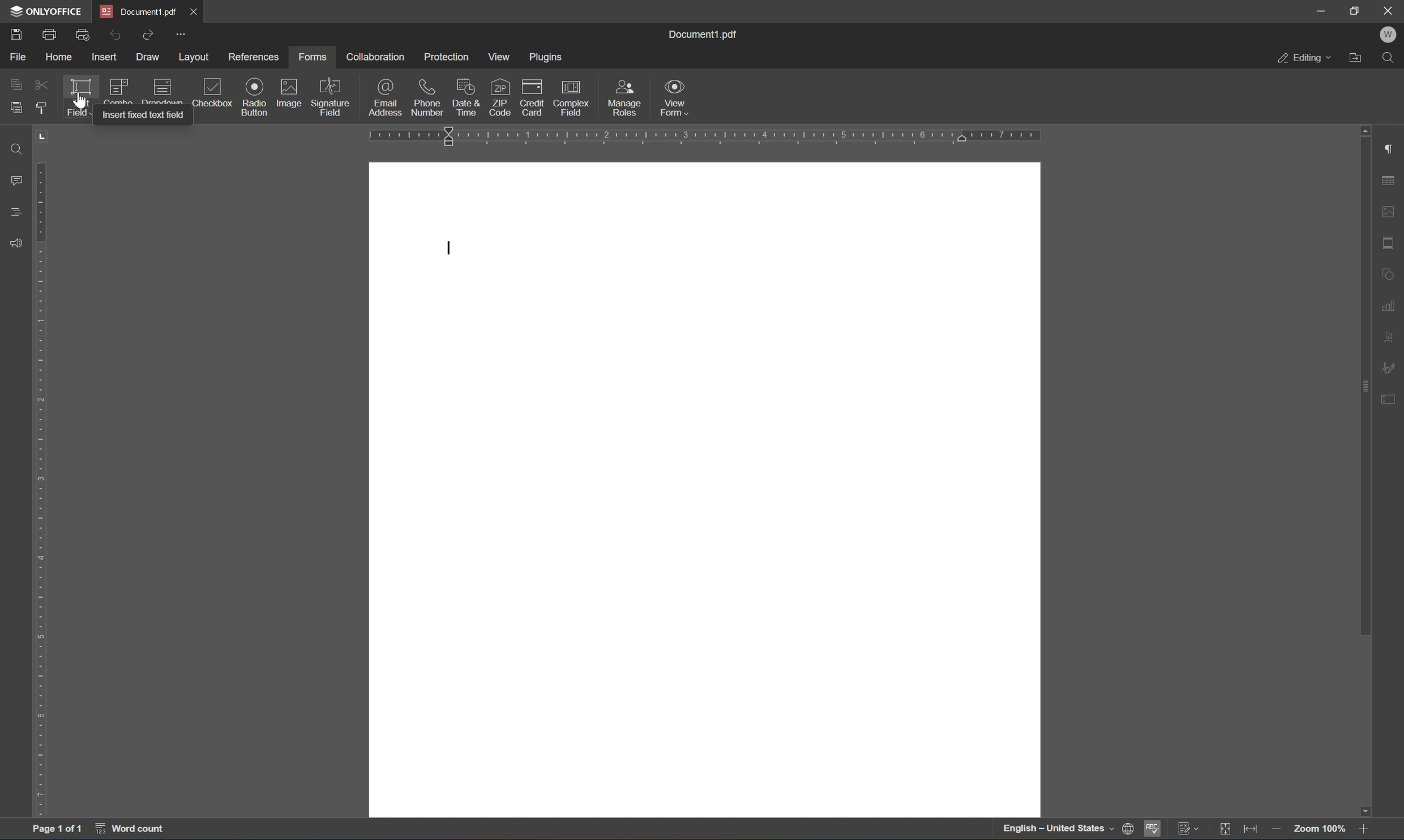 The height and width of the screenshot is (840, 1404). What do you see at coordinates (103, 57) in the screenshot?
I see `insert` at bounding box center [103, 57].